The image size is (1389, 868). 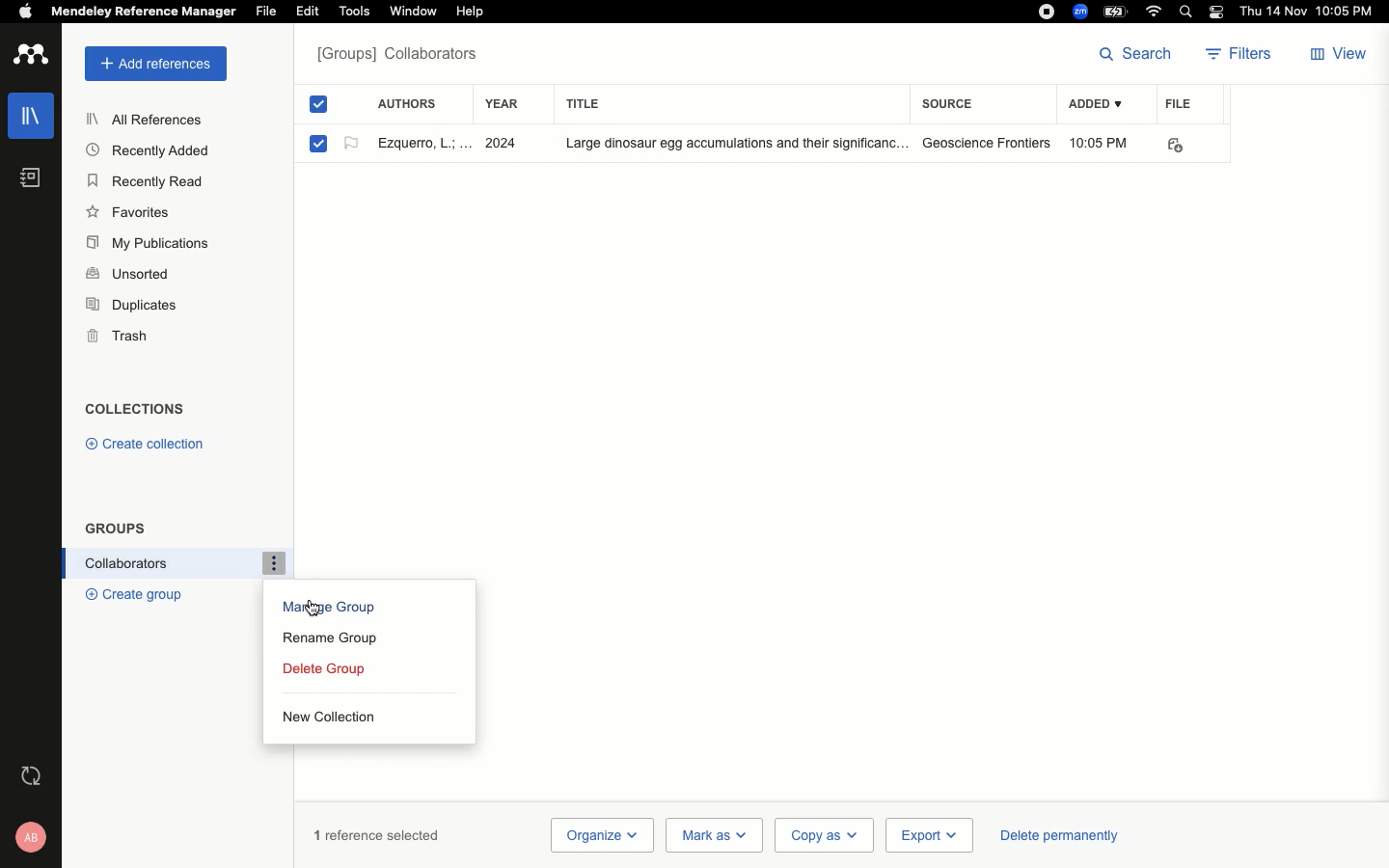 I want to click on Account and help, so click(x=38, y=836).